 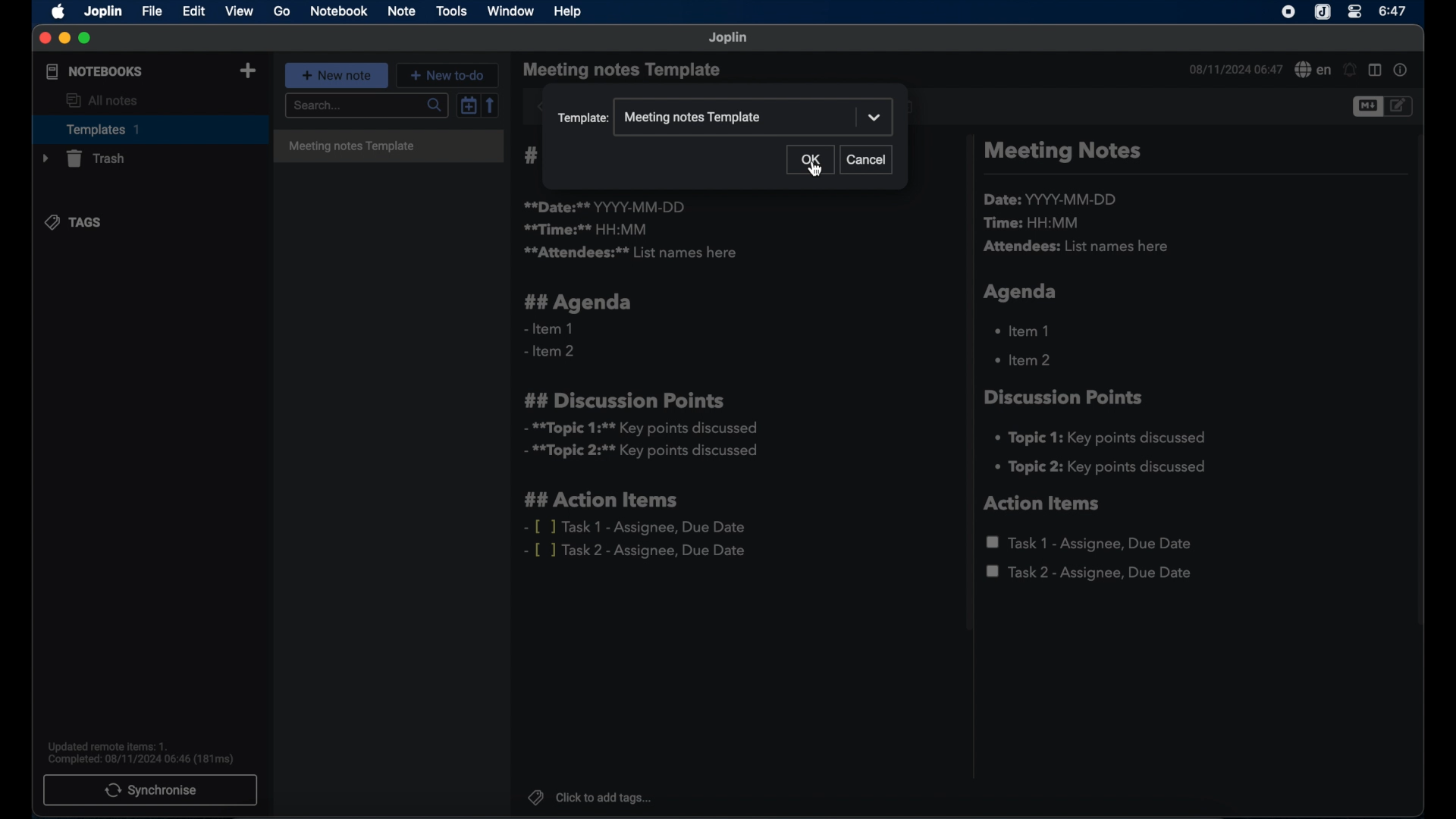 I want to click on templates 1, so click(x=148, y=129).